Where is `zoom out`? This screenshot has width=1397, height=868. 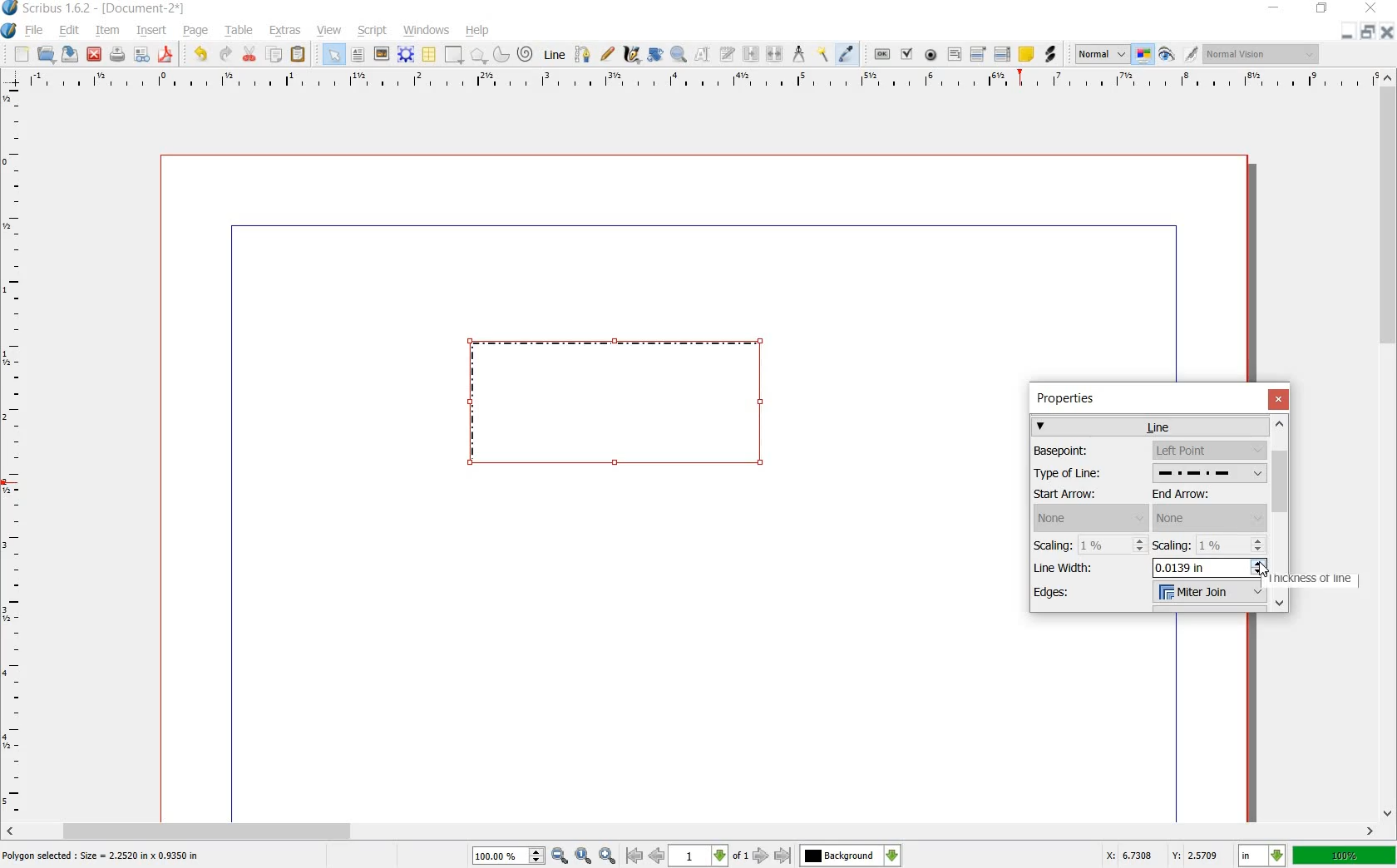
zoom out is located at coordinates (560, 856).